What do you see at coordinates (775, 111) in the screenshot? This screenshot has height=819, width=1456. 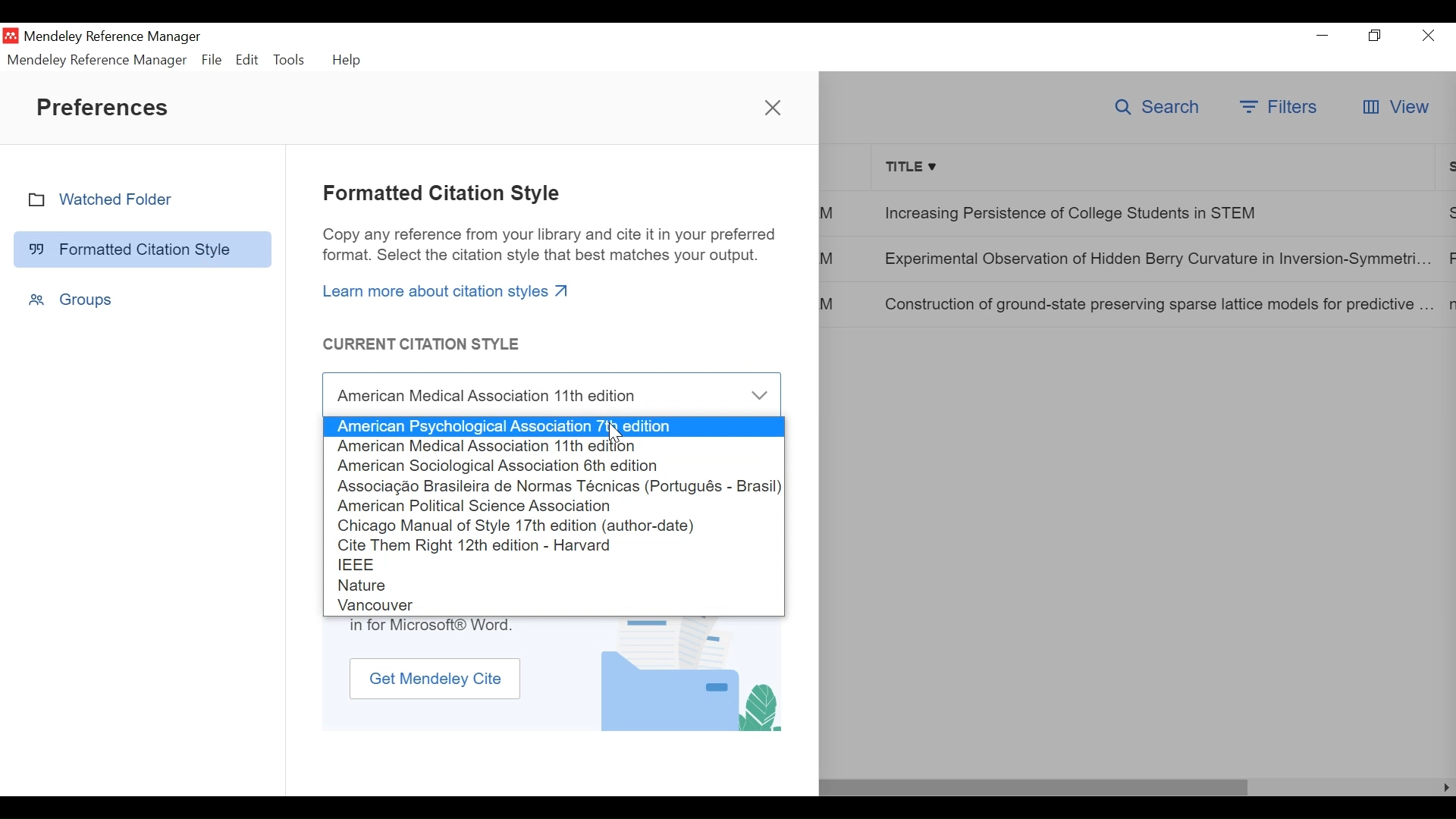 I see `close` at bounding box center [775, 111].